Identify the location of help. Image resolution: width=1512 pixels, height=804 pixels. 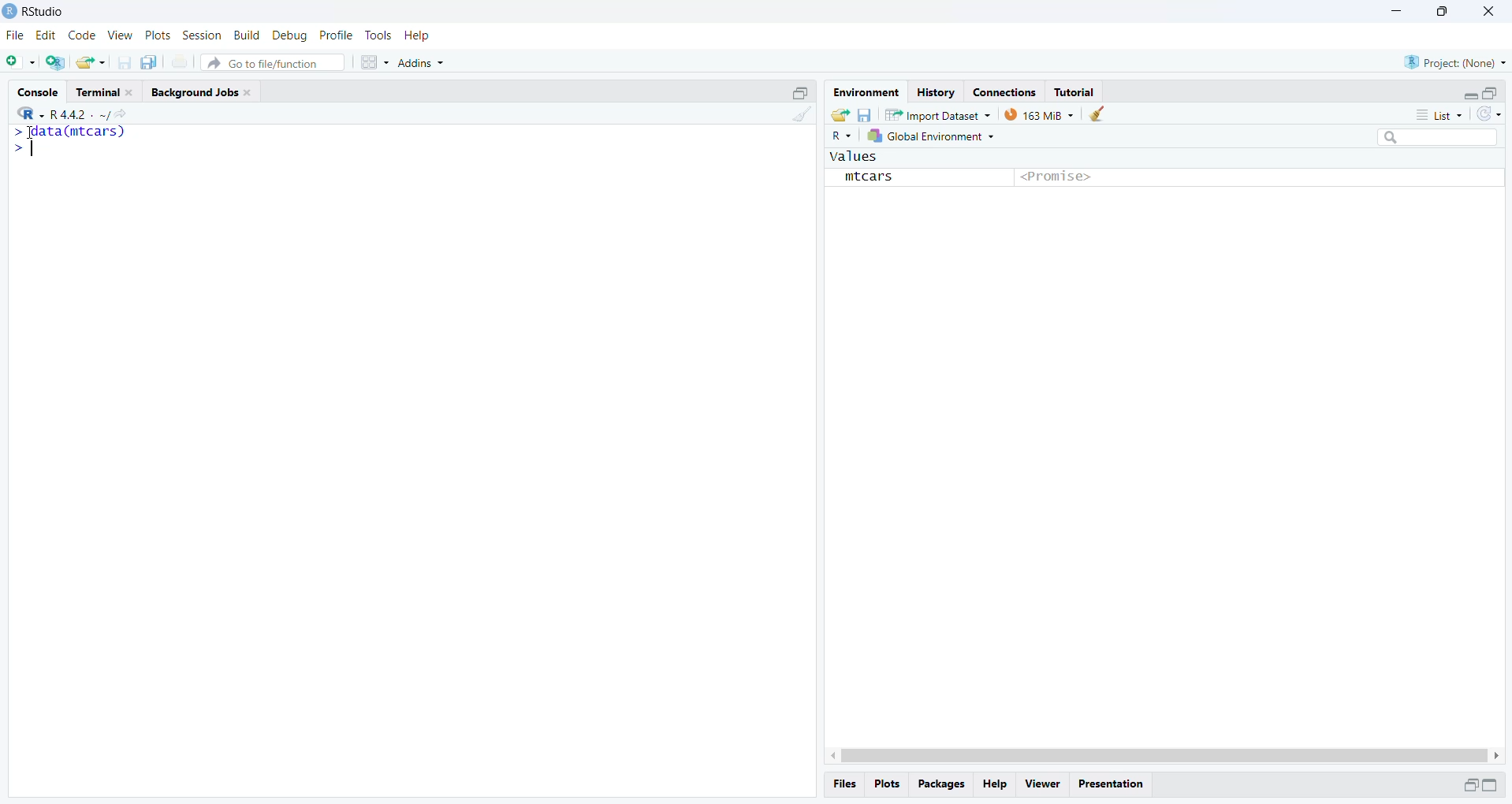
(417, 35).